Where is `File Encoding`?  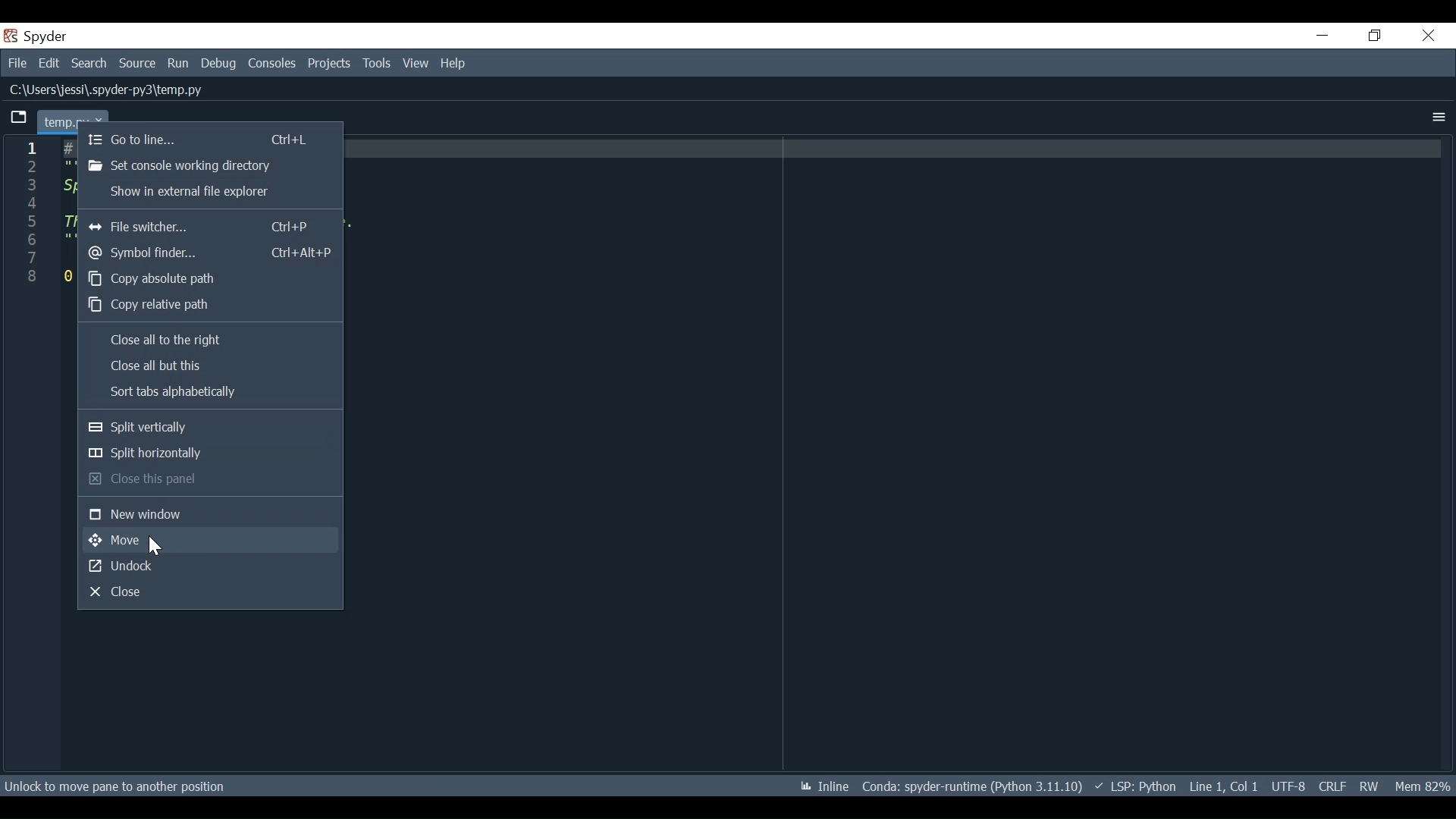 File Encoding is located at coordinates (1287, 787).